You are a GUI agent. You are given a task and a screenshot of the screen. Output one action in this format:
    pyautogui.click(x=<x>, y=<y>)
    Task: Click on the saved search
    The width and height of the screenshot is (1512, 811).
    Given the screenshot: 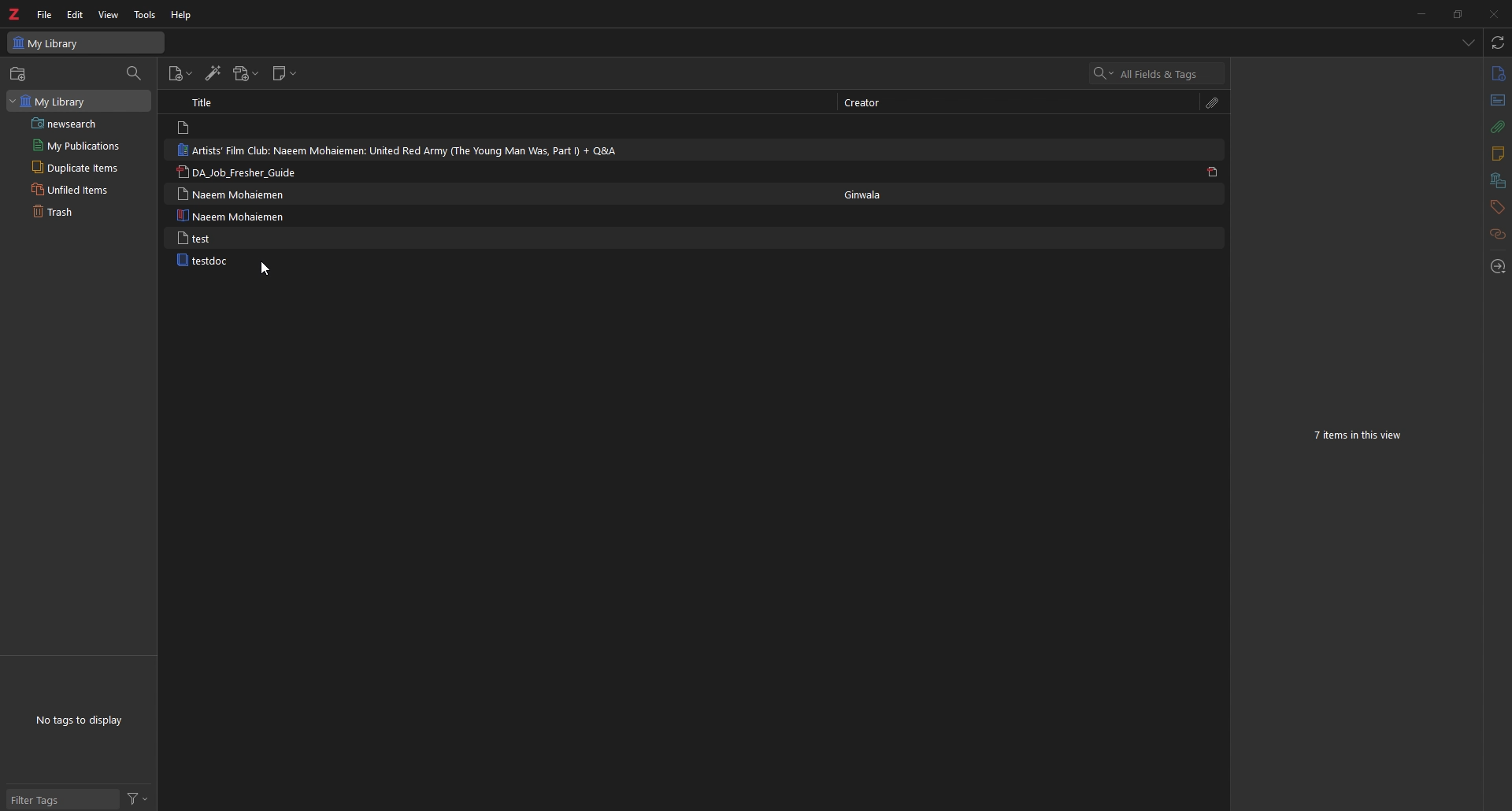 What is the action you would take?
    pyautogui.click(x=82, y=123)
    